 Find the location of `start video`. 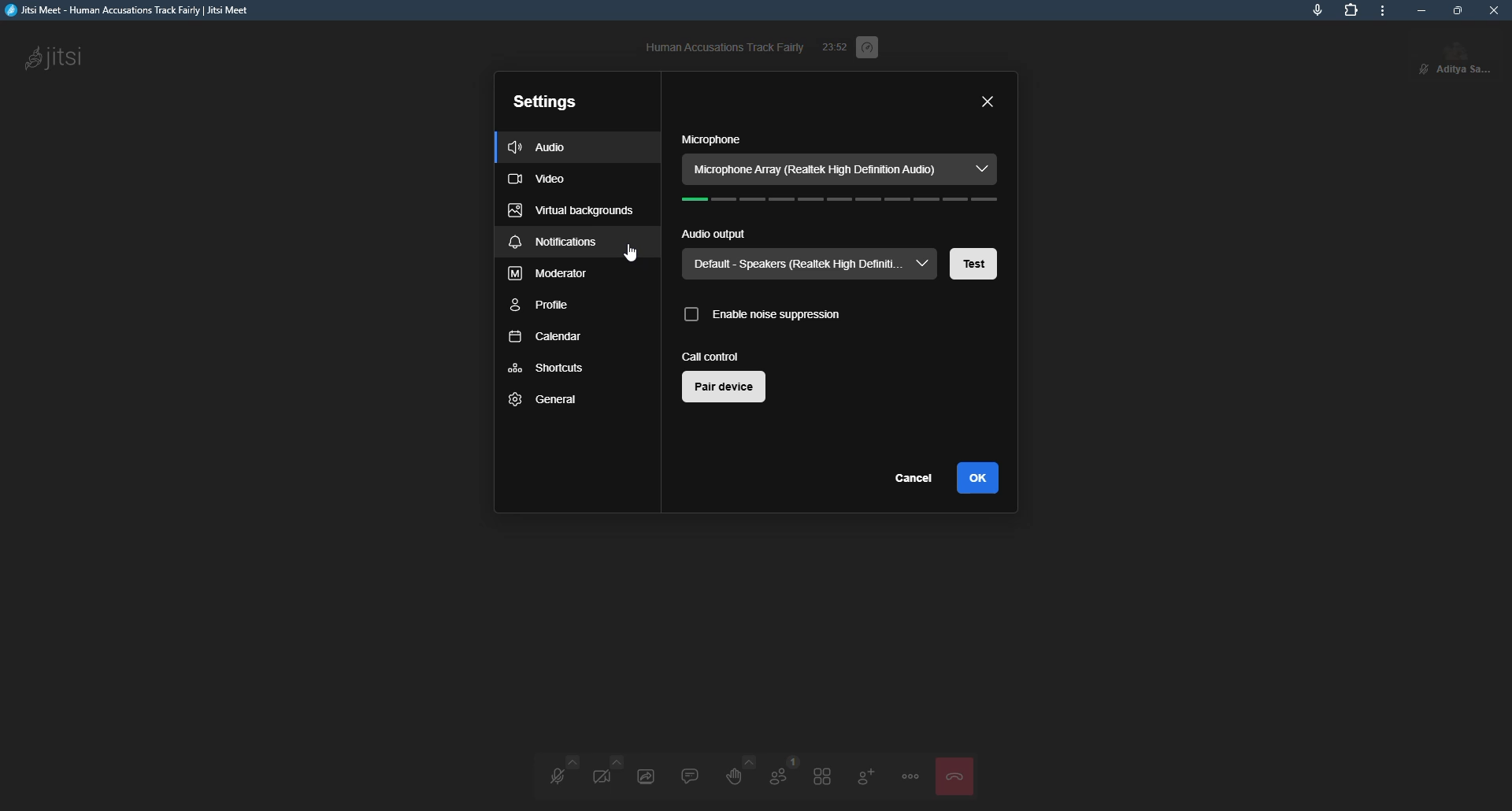

start video is located at coordinates (605, 773).